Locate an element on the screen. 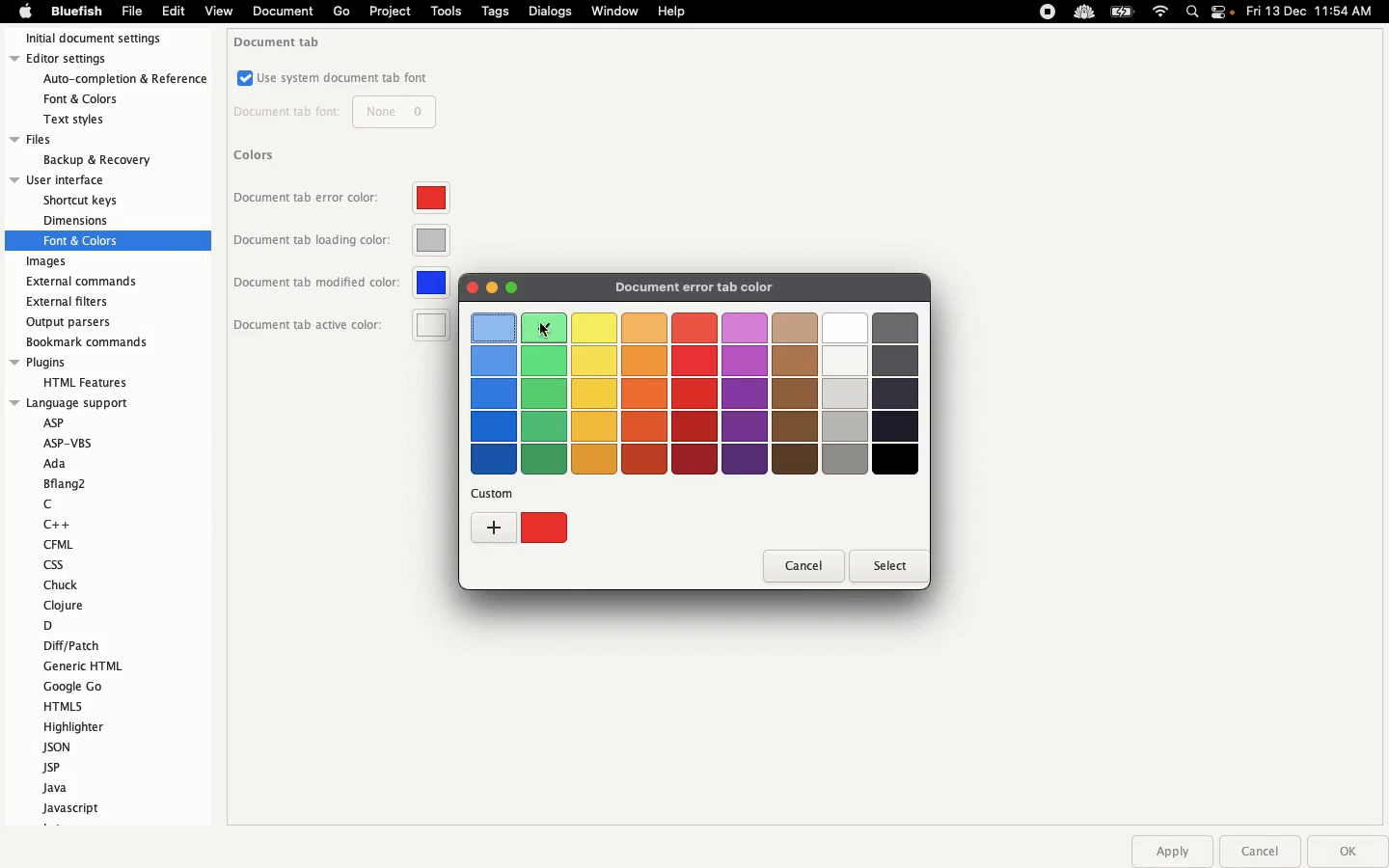 Image resolution: width=1389 pixels, height=868 pixels. Scroll  is located at coordinates (204, 322).